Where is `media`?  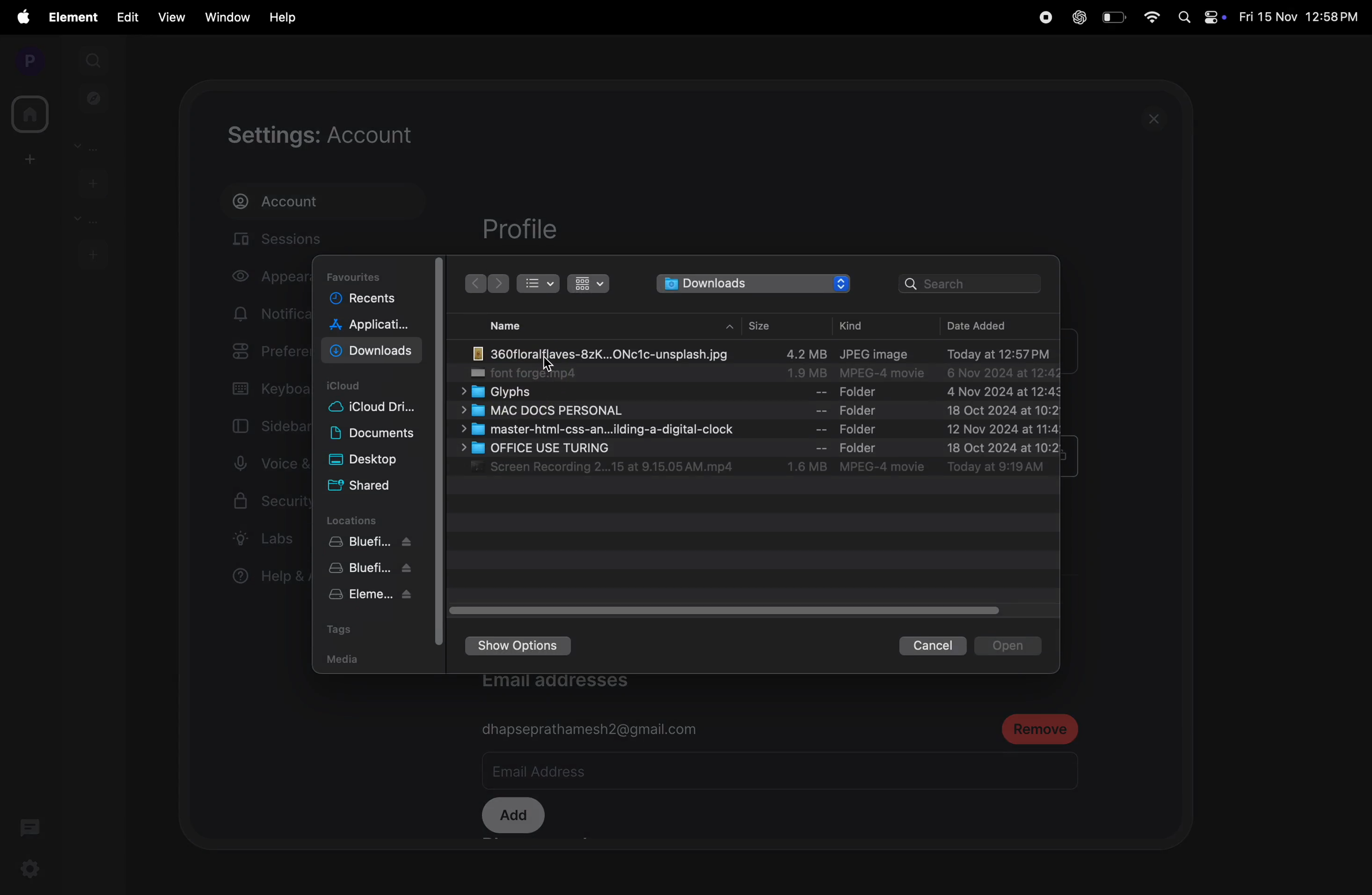 media is located at coordinates (340, 661).